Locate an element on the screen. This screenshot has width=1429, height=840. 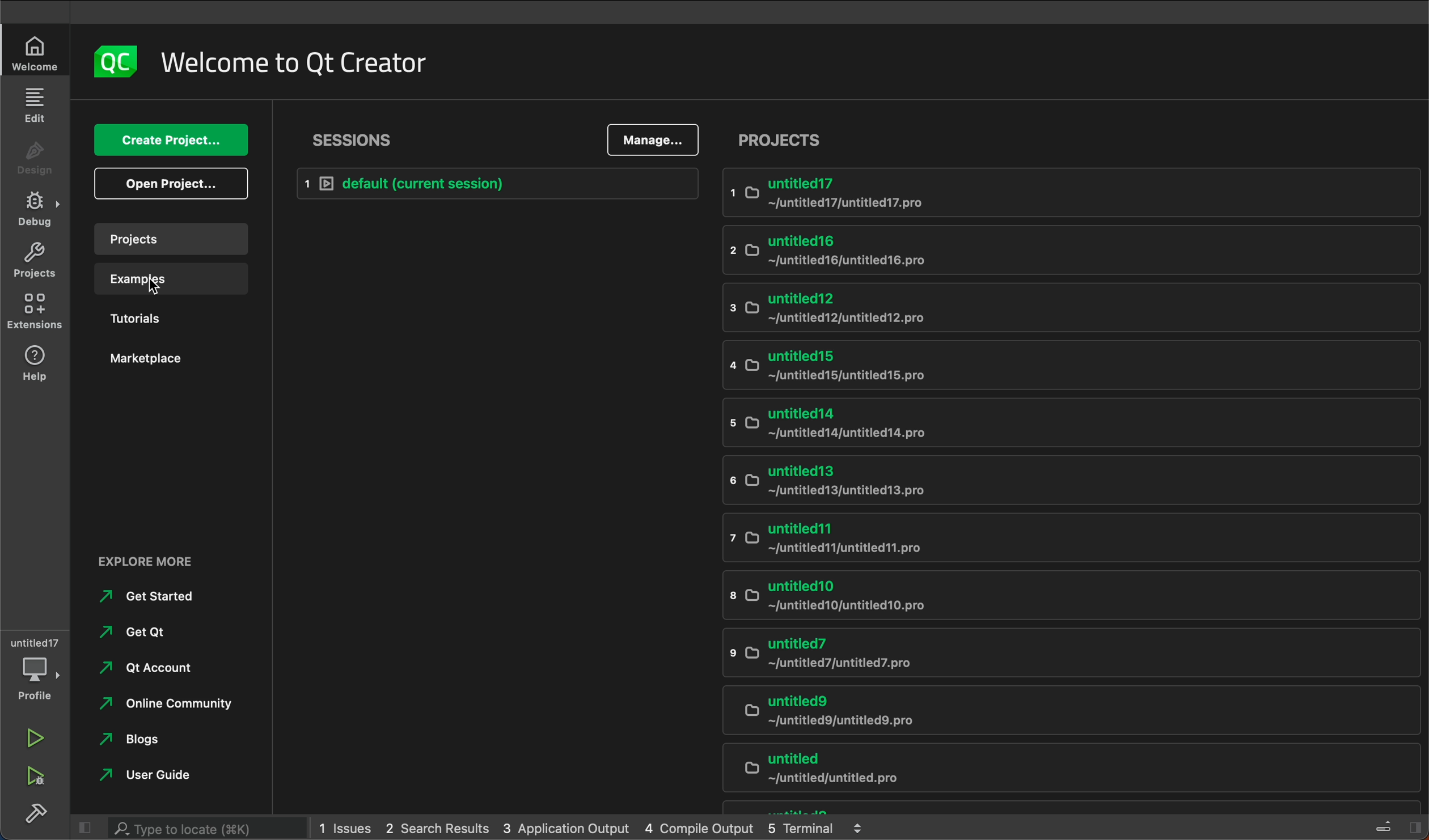
untitled11 is located at coordinates (1062, 537).